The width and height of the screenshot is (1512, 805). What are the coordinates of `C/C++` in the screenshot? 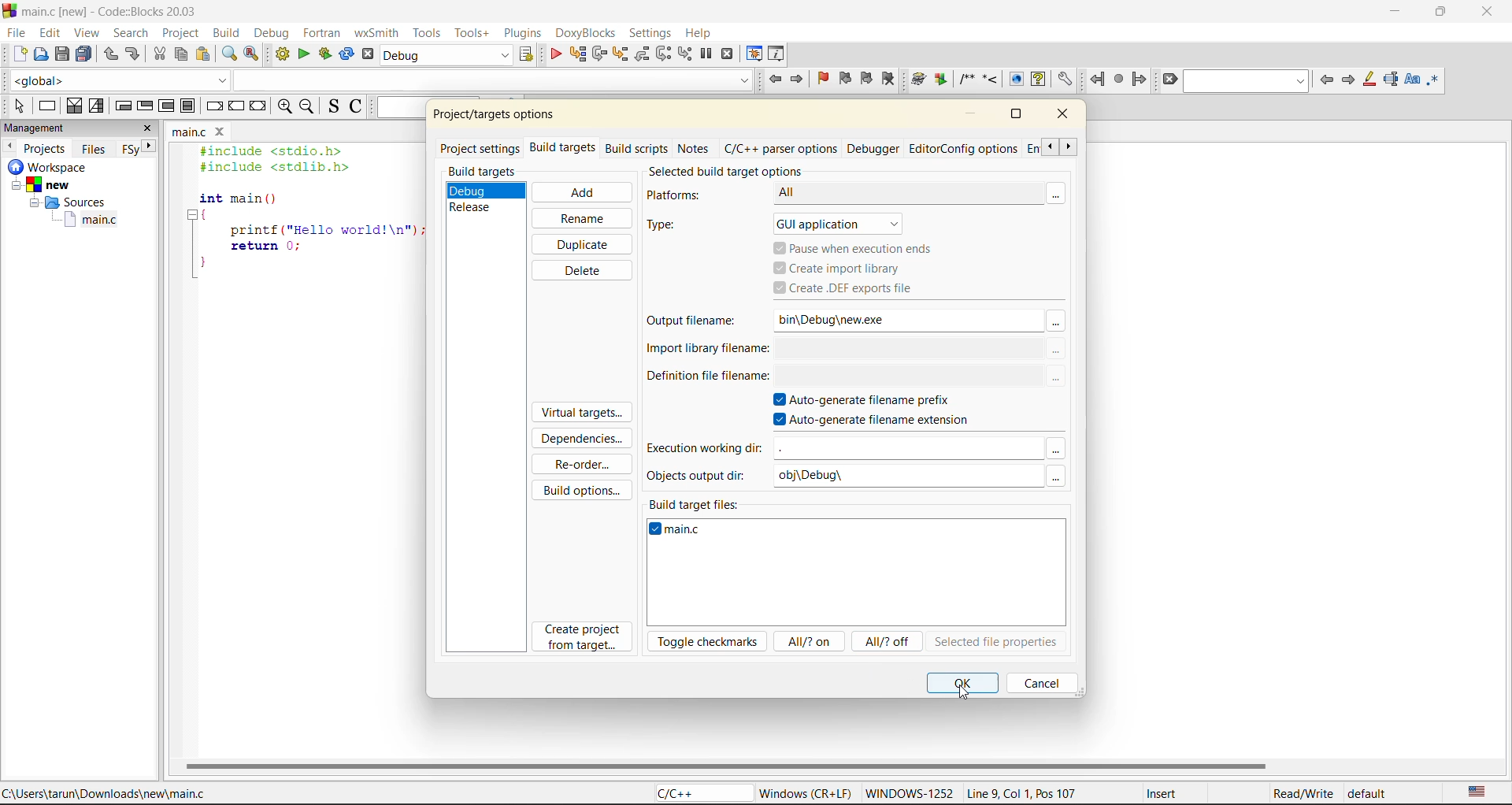 It's located at (698, 792).